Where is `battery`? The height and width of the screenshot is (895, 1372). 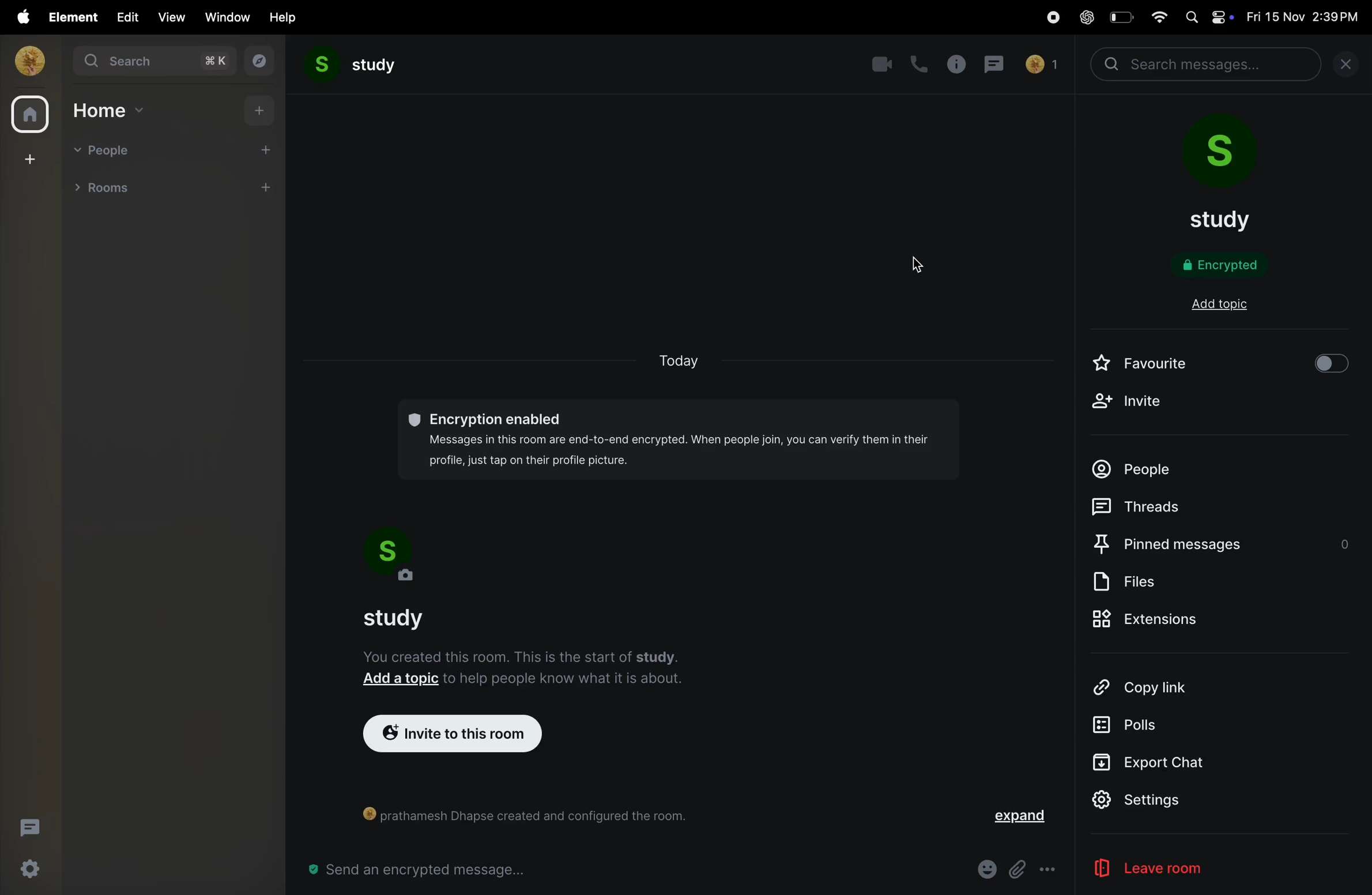
battery is located at coordinates (1120, 17).